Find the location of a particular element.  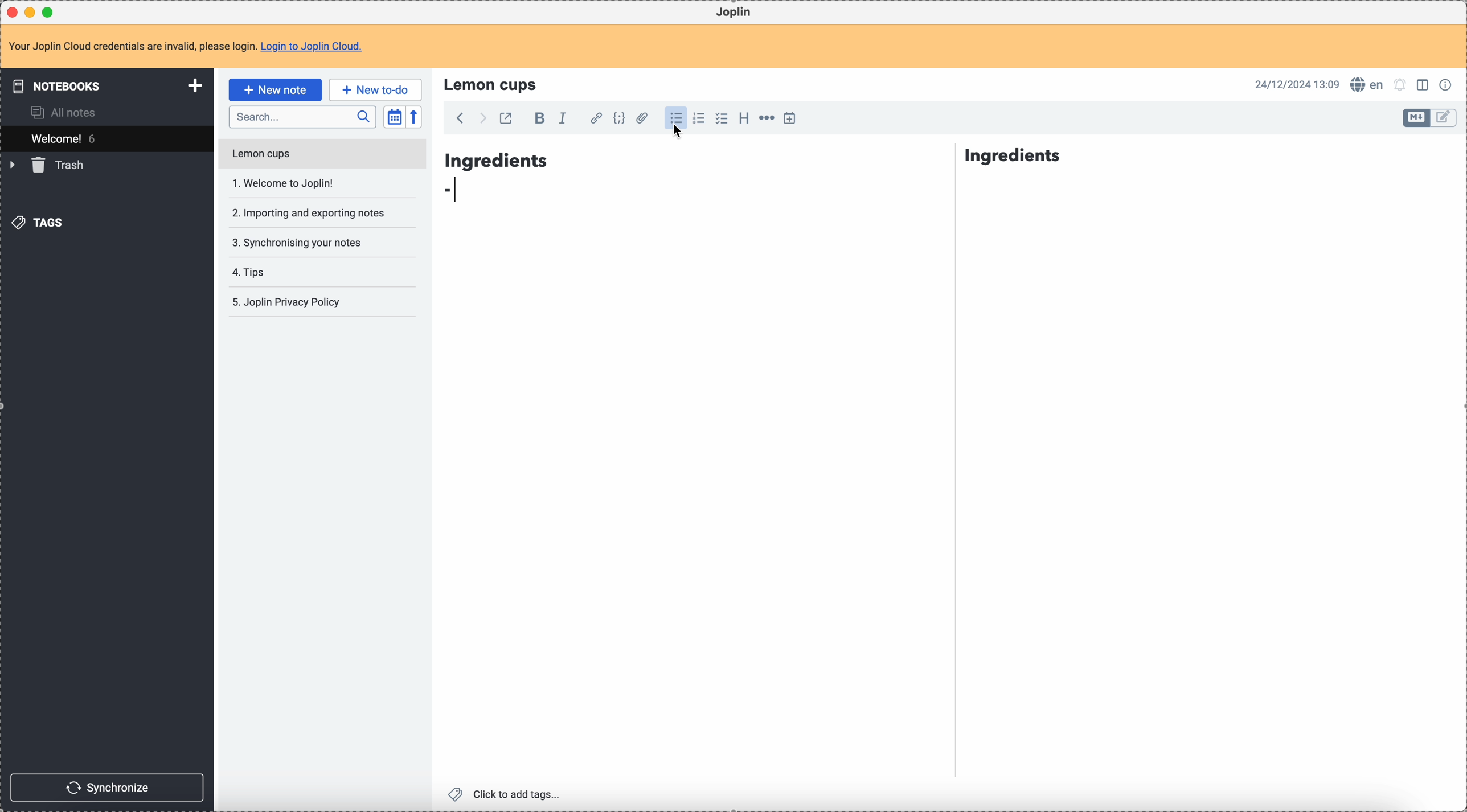

search bar is located at coordinates (302, 117).